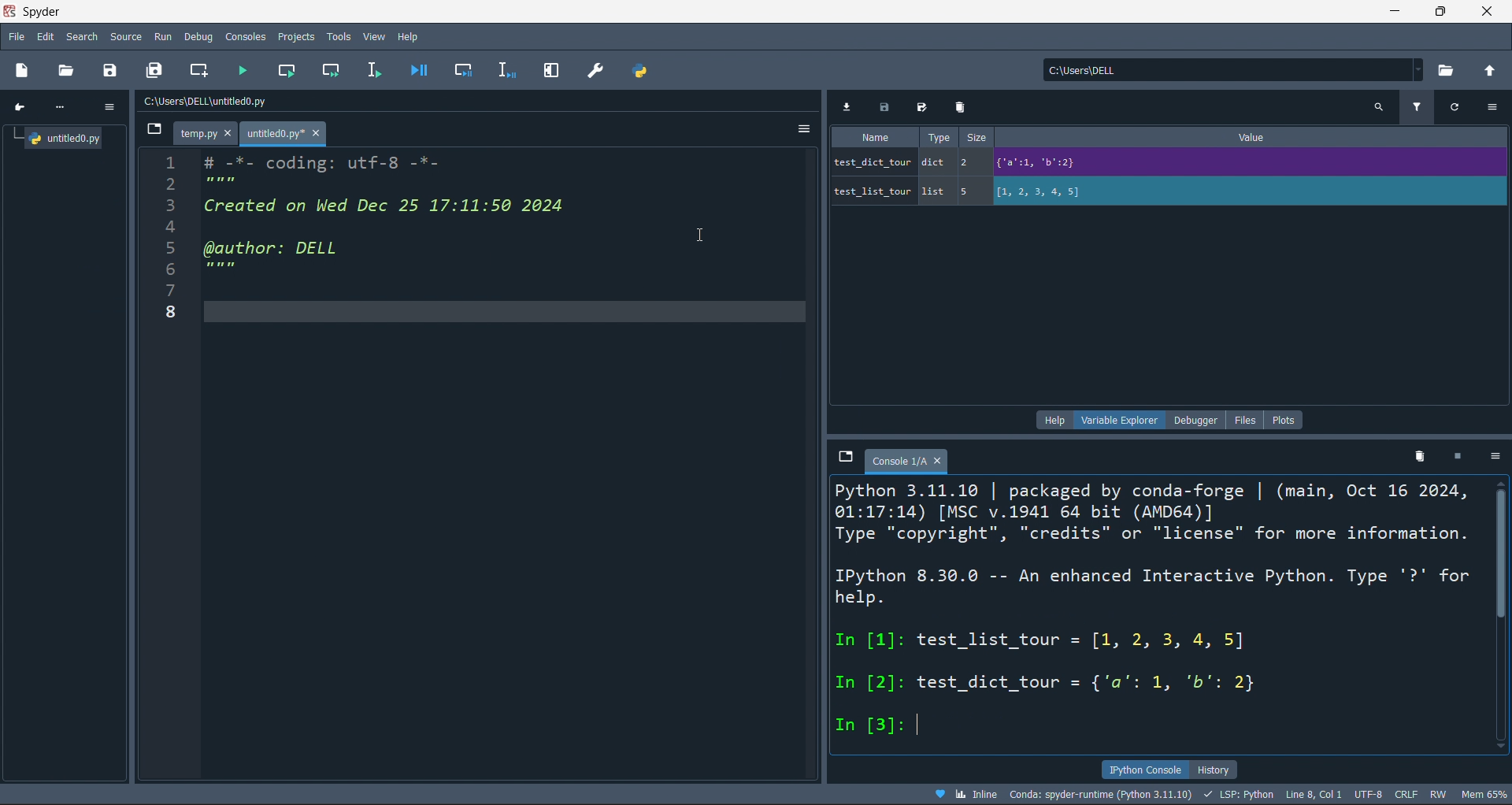  I want to click on file path, so click(250, 103).